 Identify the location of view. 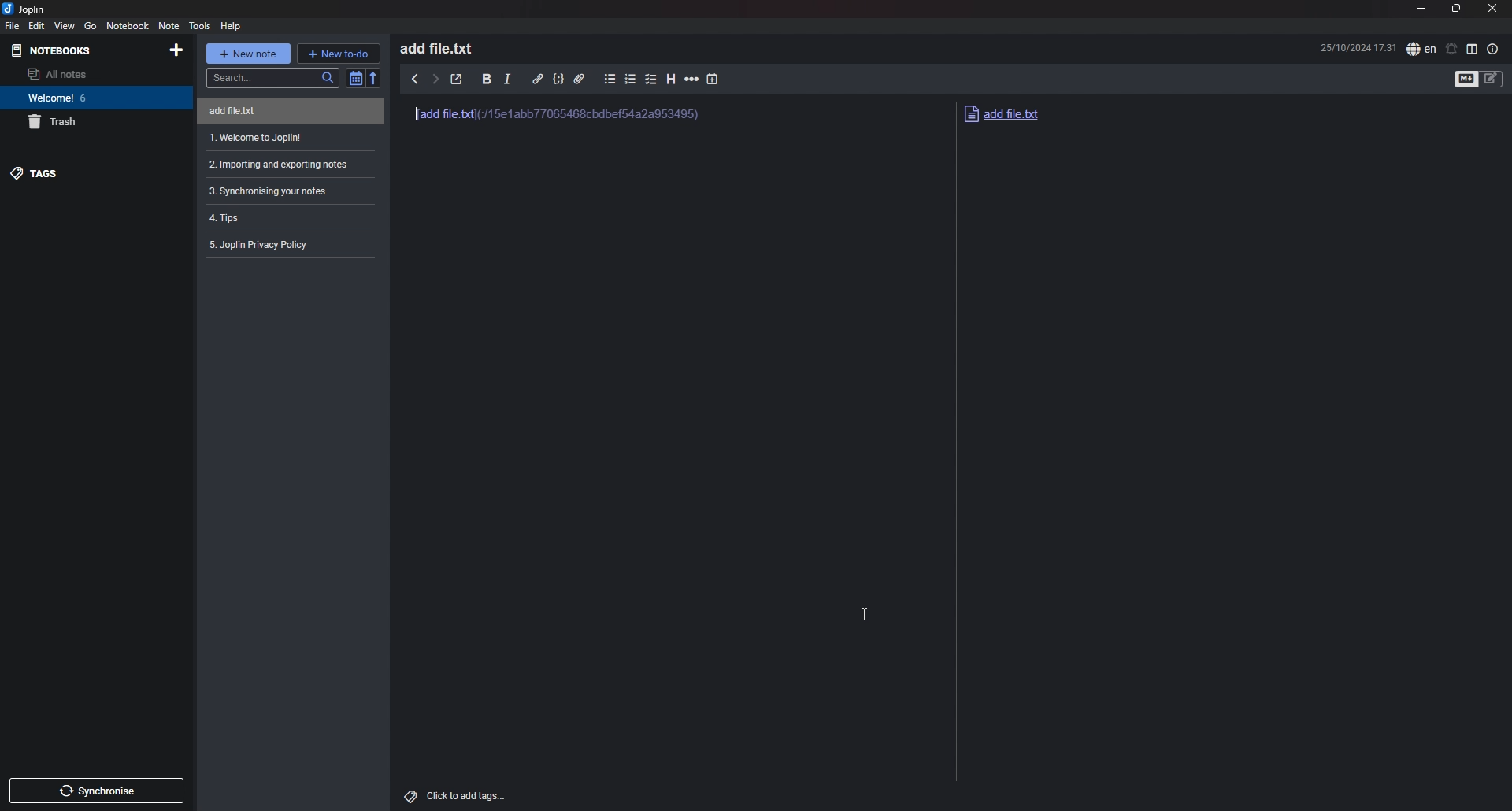
(65, 25).